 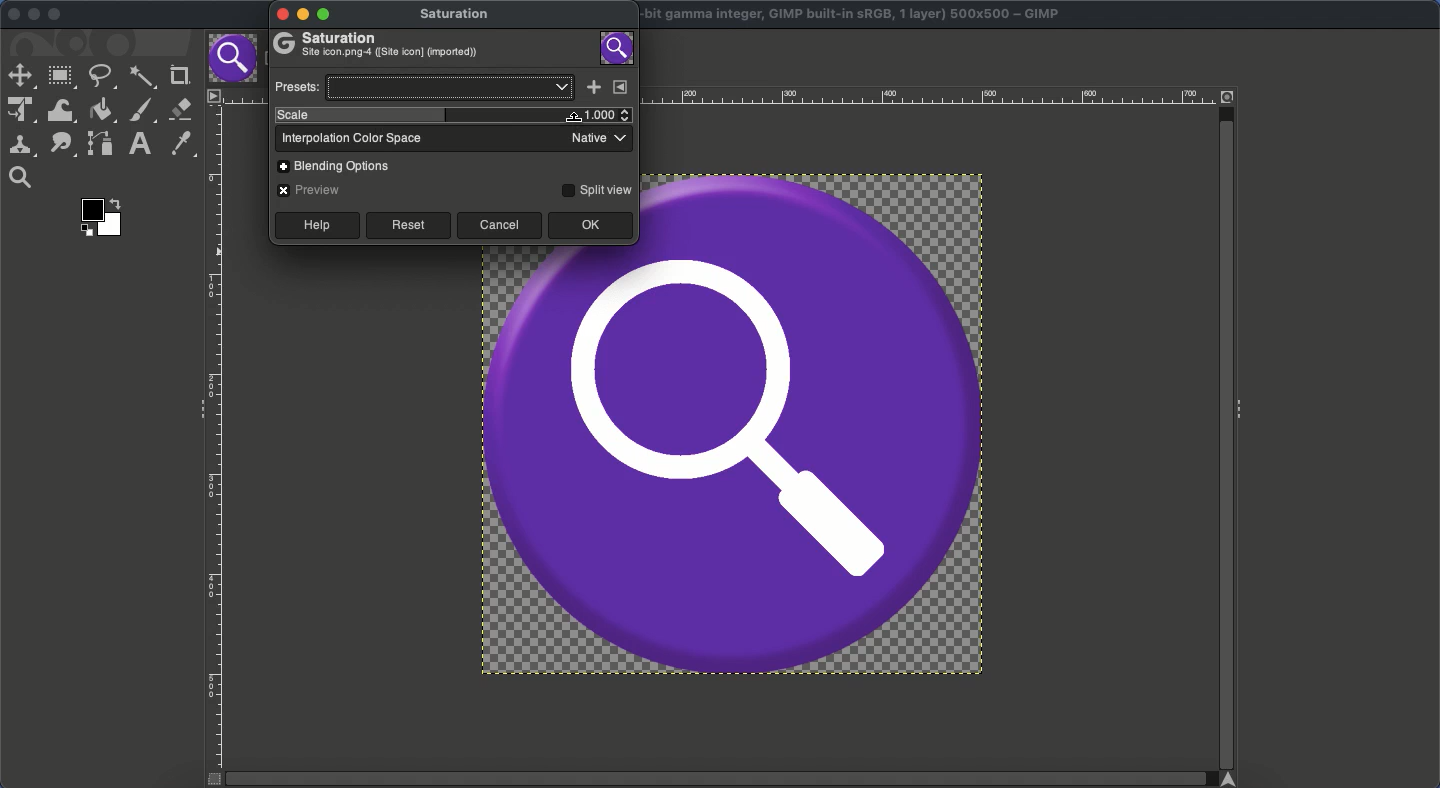 I want to click on maximize, so click(x=327, y=15).